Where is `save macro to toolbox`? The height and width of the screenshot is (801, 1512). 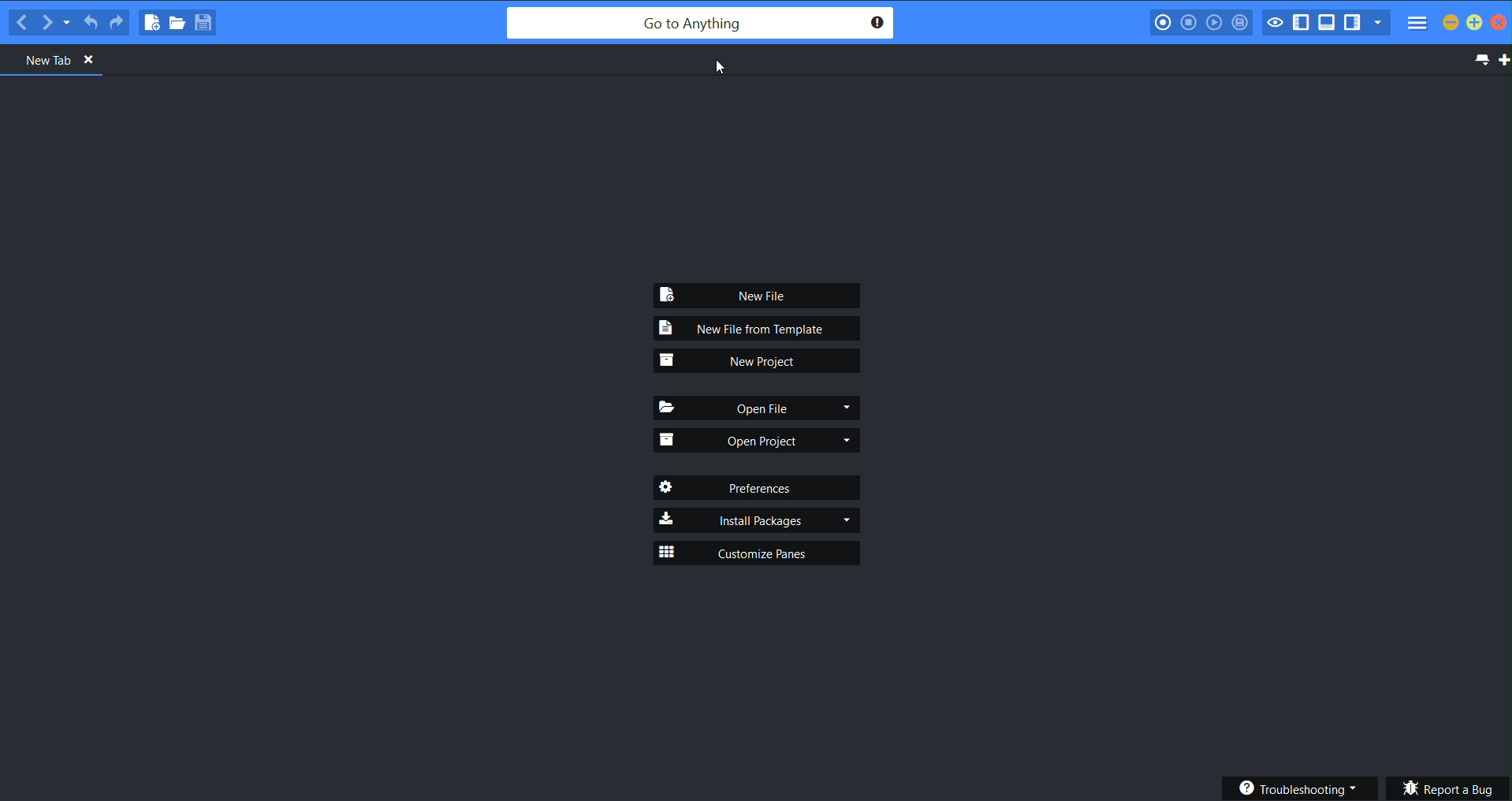 save macro to toolbox is located at coordinates (1240, 22).